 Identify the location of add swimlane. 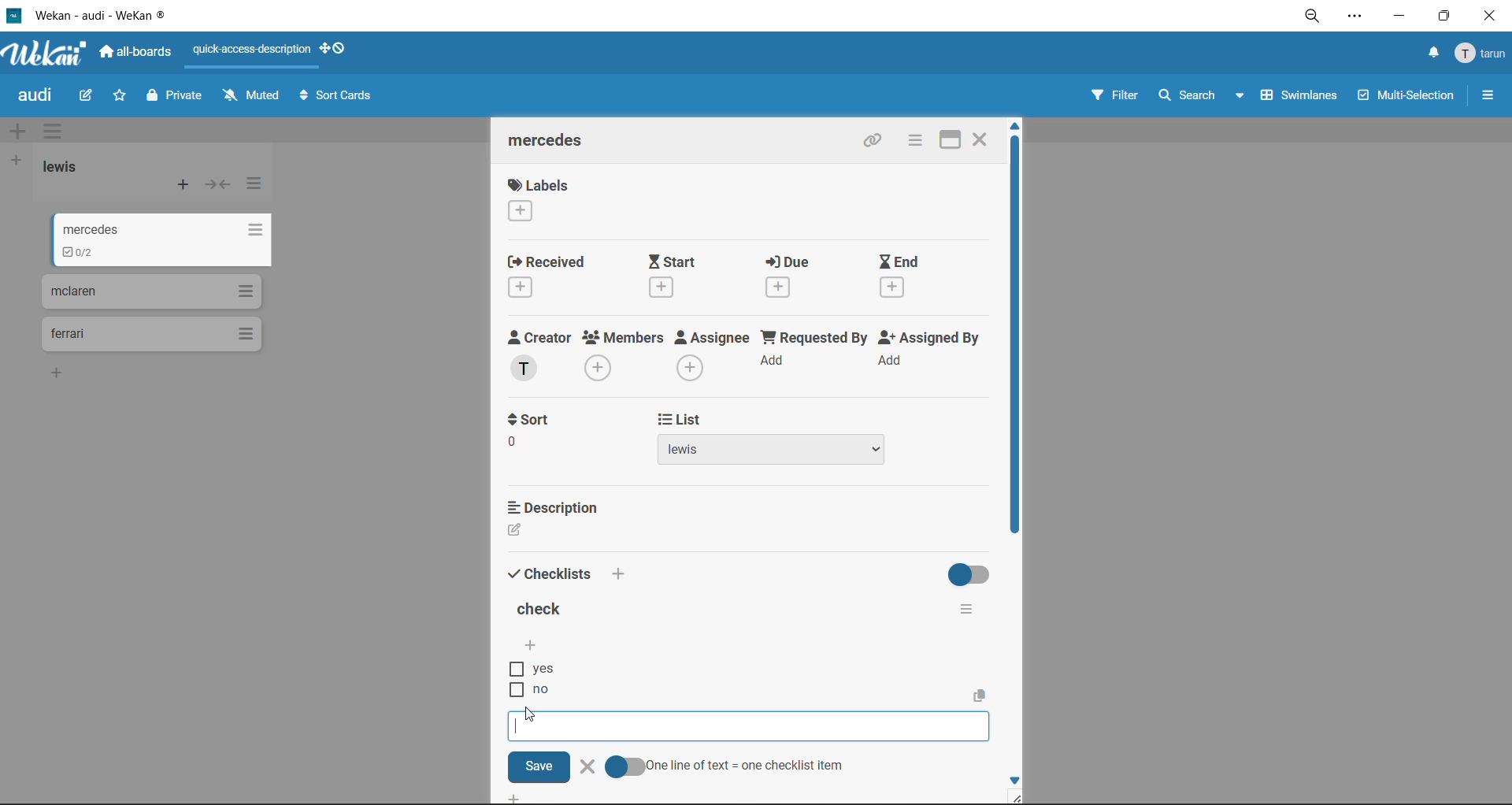
(22, 131).